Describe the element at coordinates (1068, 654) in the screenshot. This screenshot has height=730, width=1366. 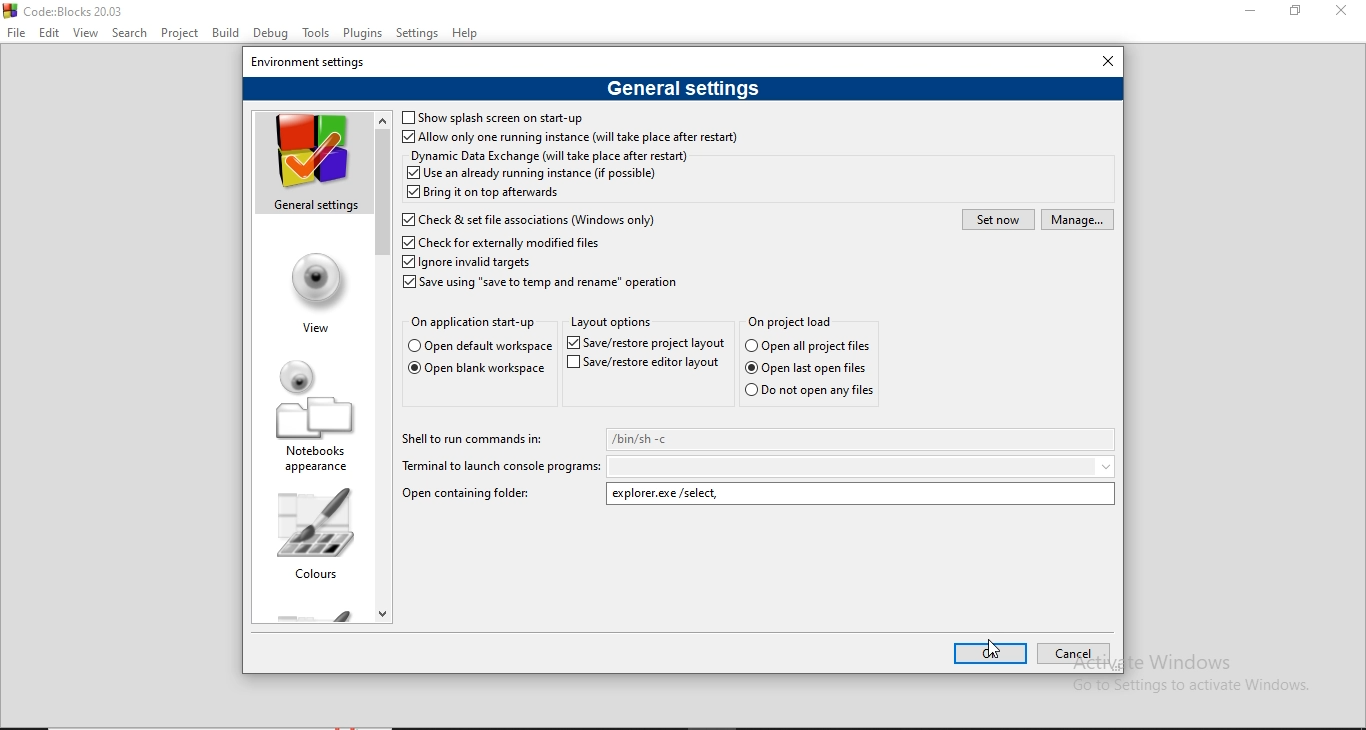
I see `cancel` at that location.